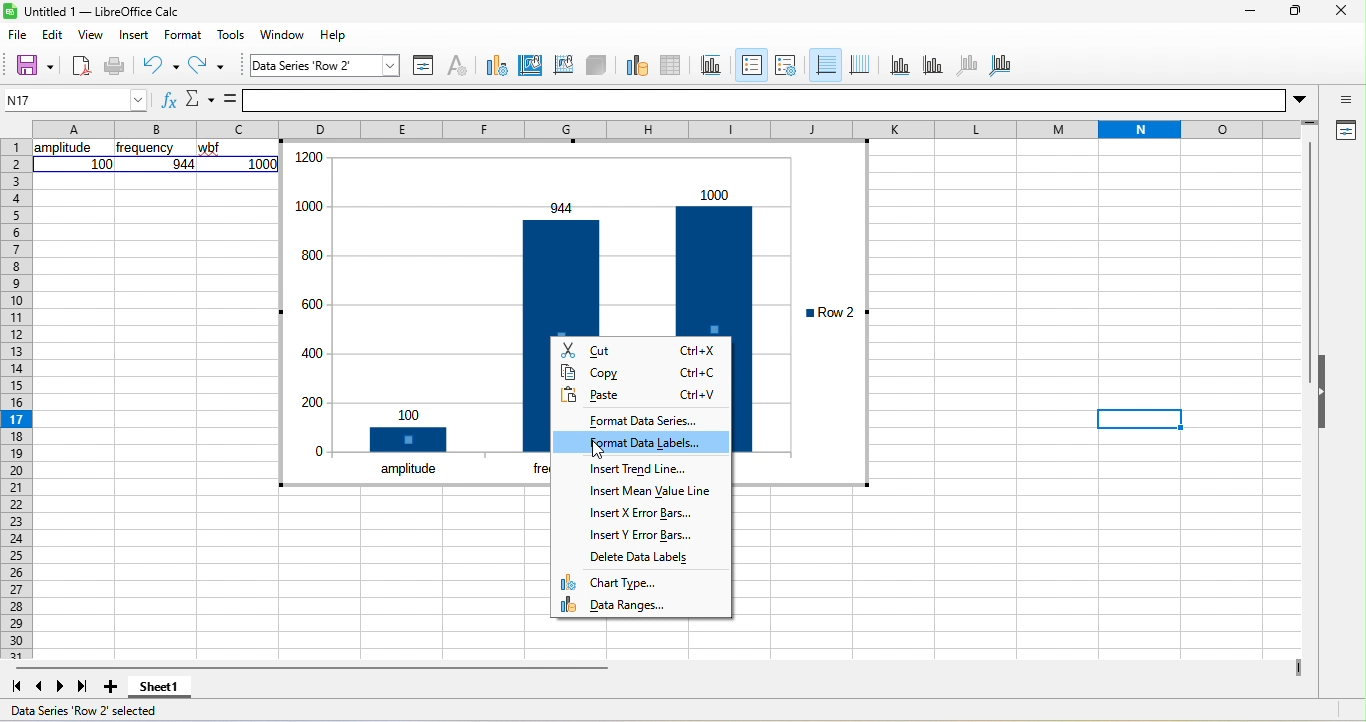 This screenshot has height=722, width=1366. I want to click on insert mean value line, so click(649, 493).